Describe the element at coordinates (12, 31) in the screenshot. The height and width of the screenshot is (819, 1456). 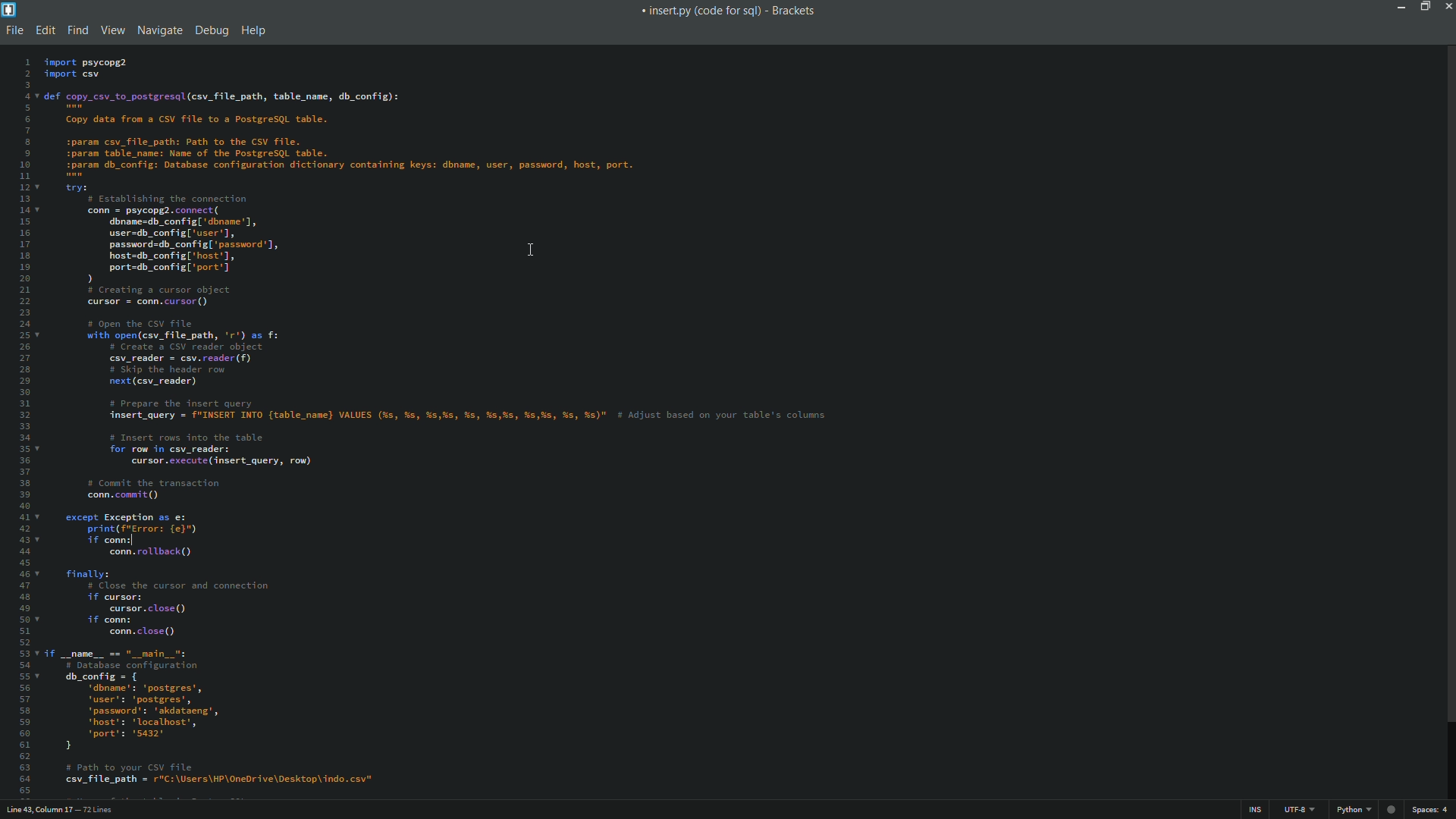
I see `file menu` at that location.